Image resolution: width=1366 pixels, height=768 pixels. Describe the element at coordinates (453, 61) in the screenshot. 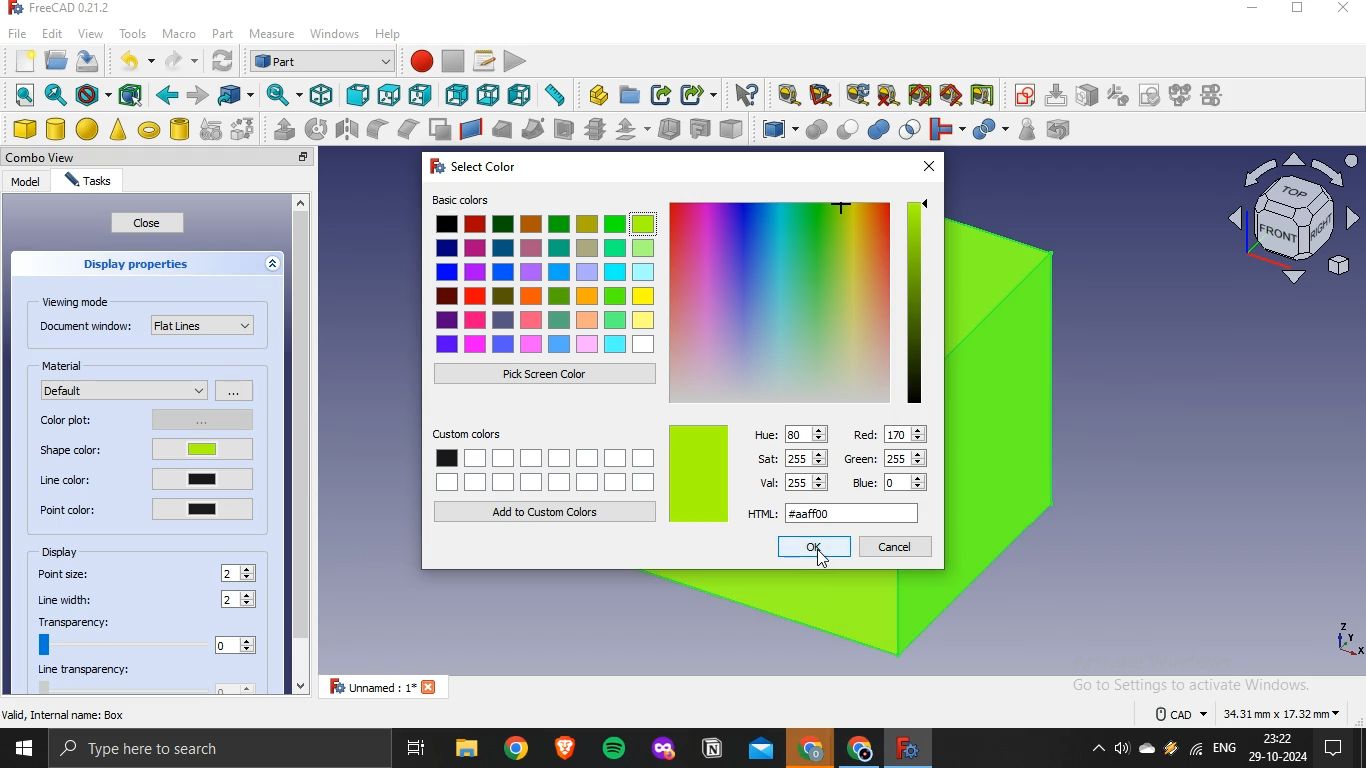

I see `stop macro recording` at that location.